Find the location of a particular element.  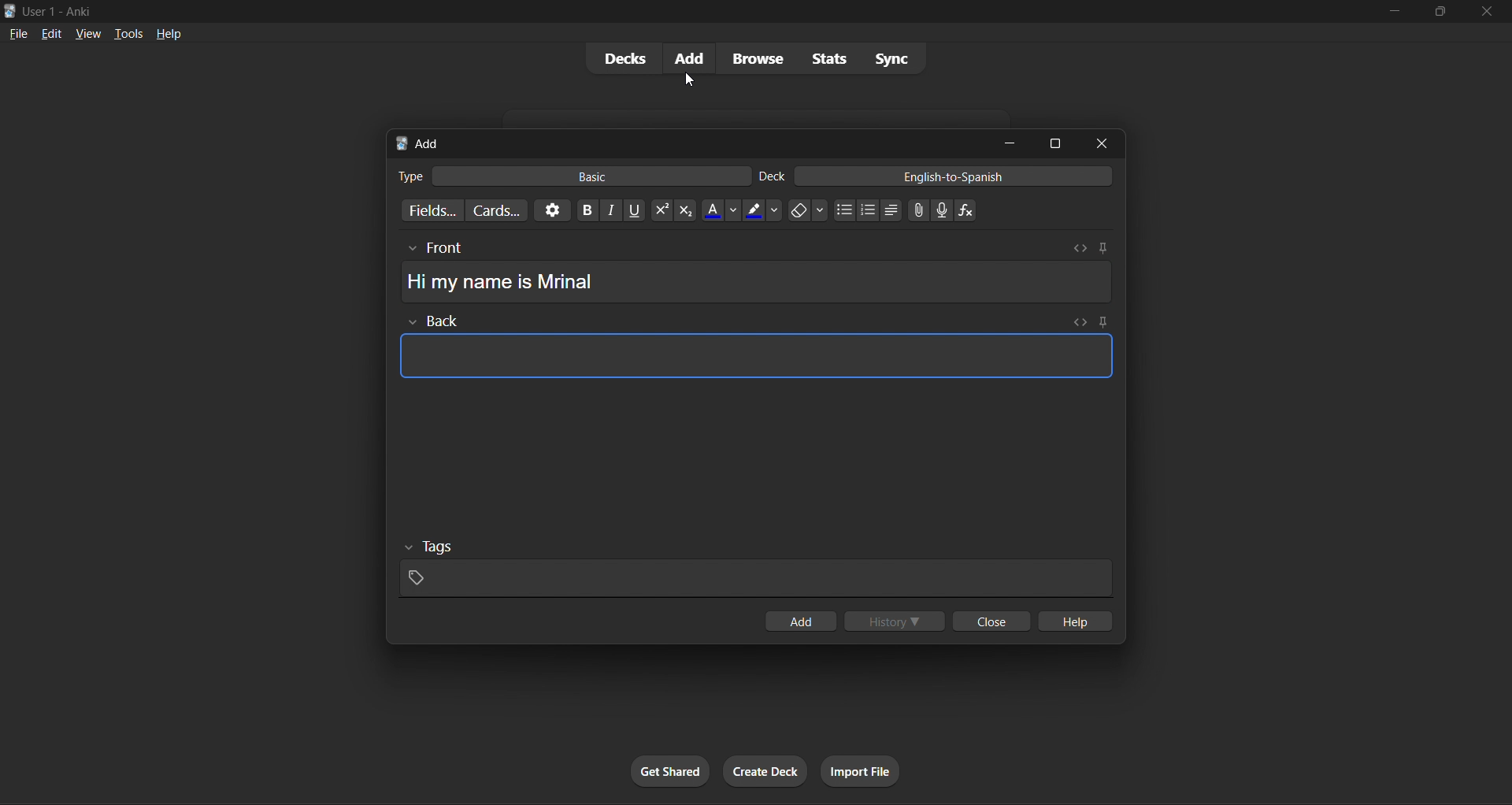

card back spanish text box is located at coordinates (752, 350).